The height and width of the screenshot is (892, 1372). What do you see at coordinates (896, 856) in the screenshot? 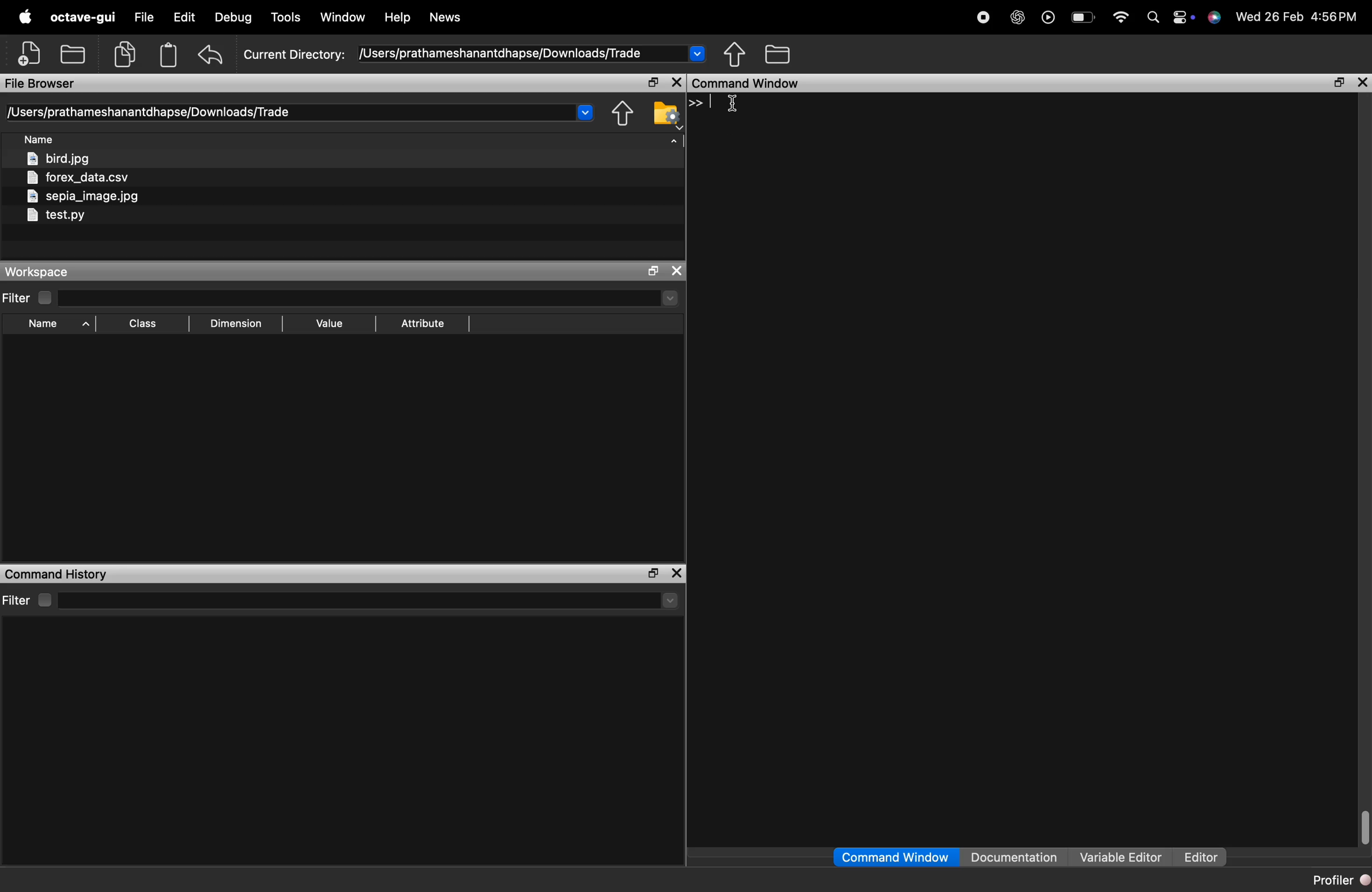
I see `Command Window` at bounding box center [896, 856].